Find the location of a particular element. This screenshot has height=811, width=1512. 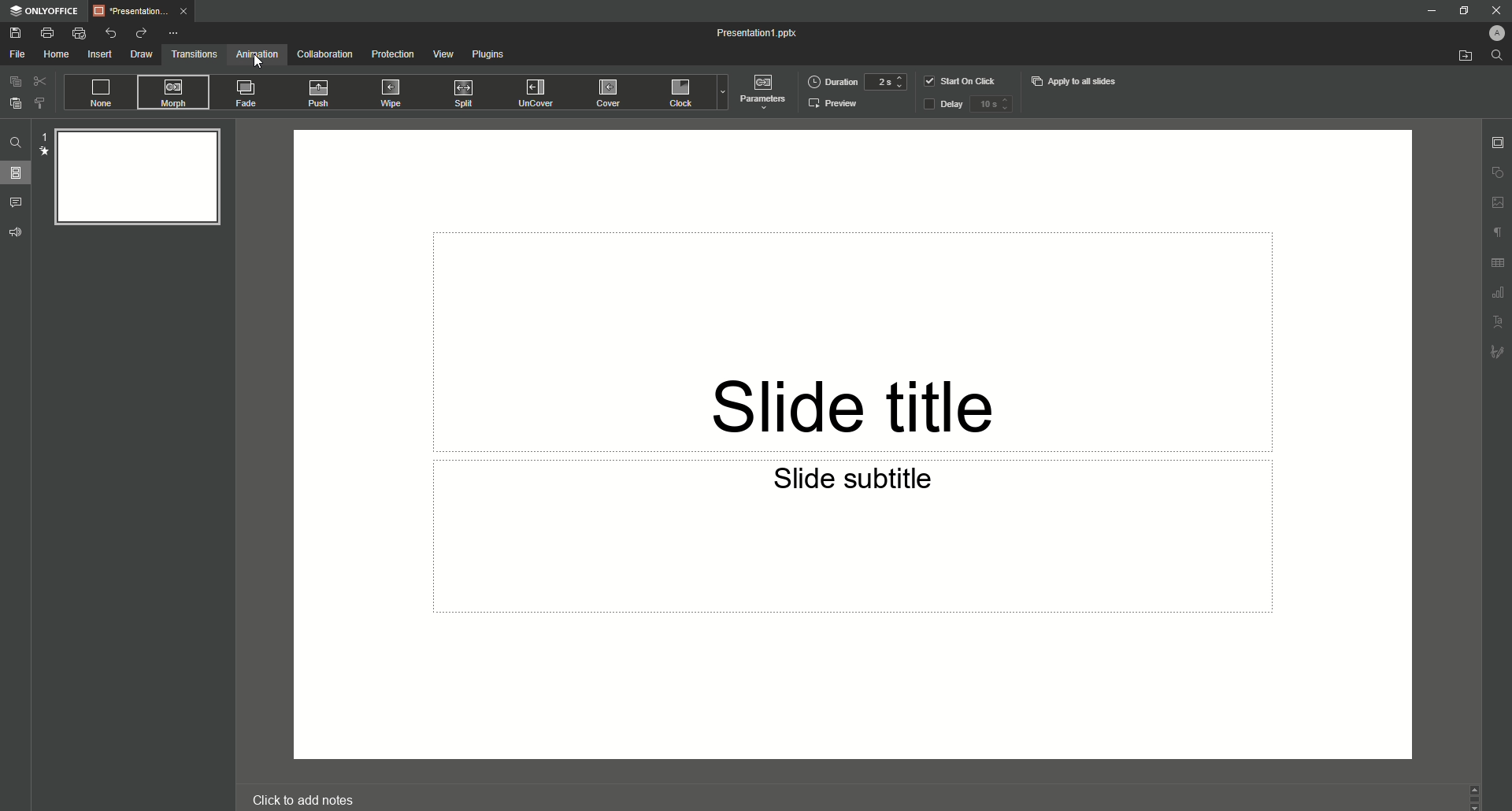

UnCover is located at coordinates (536, 92).